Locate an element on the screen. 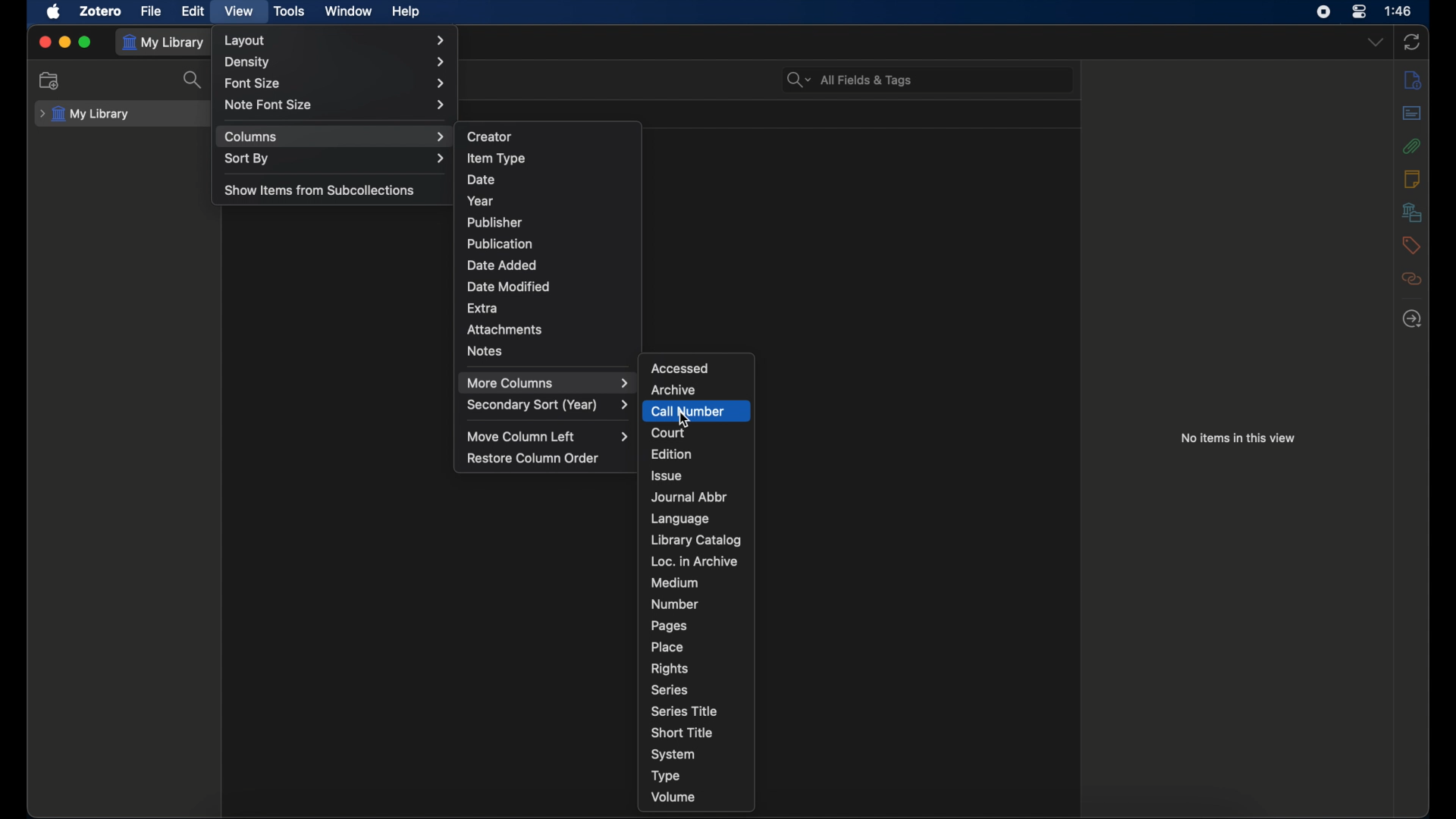 The image size is (1456, 819). date added is located at coordinates (502, 264).